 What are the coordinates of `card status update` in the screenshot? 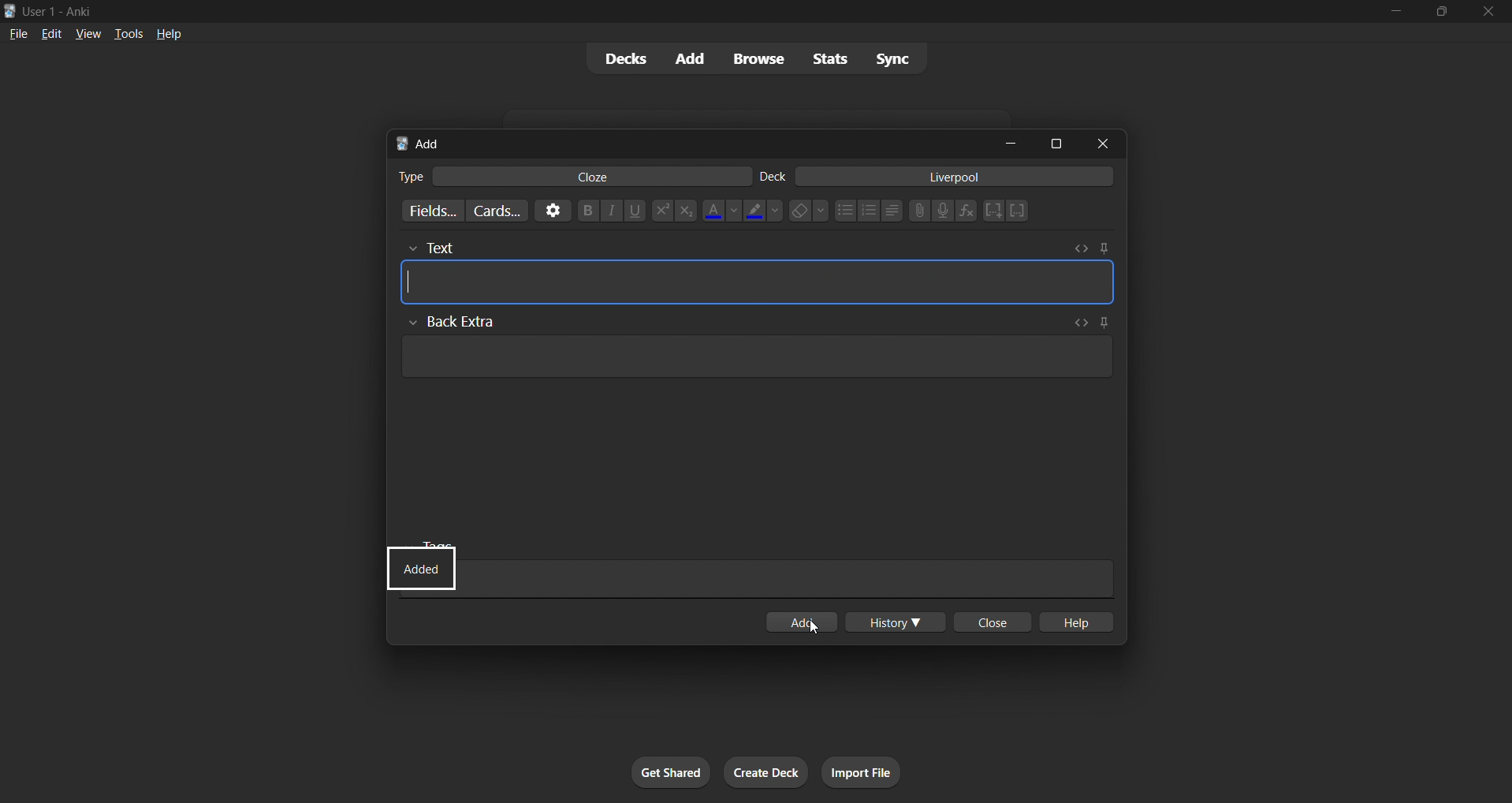 It's located at (423, 566).